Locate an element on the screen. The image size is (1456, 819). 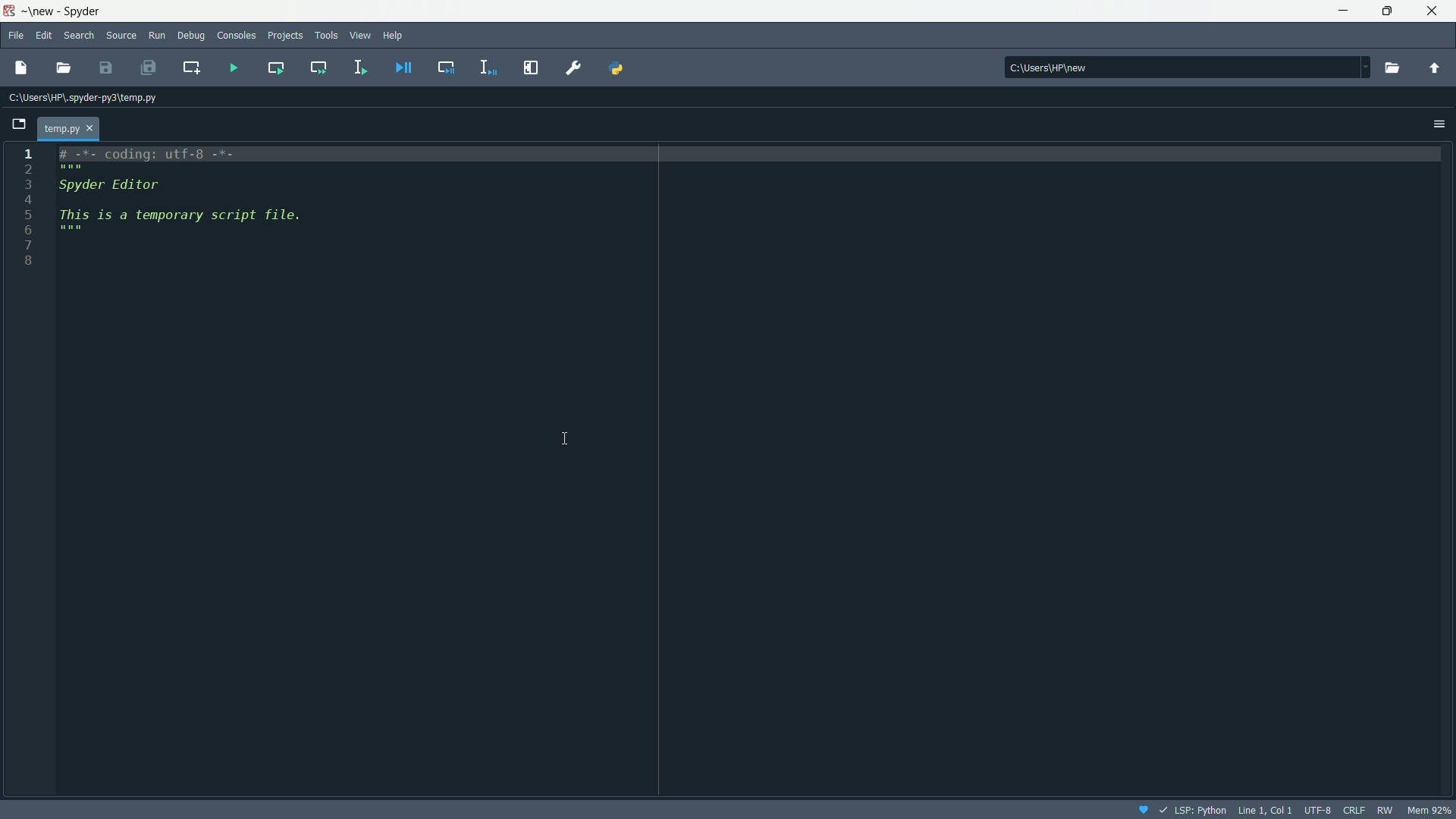
Help is located at coordinates (395, 33).